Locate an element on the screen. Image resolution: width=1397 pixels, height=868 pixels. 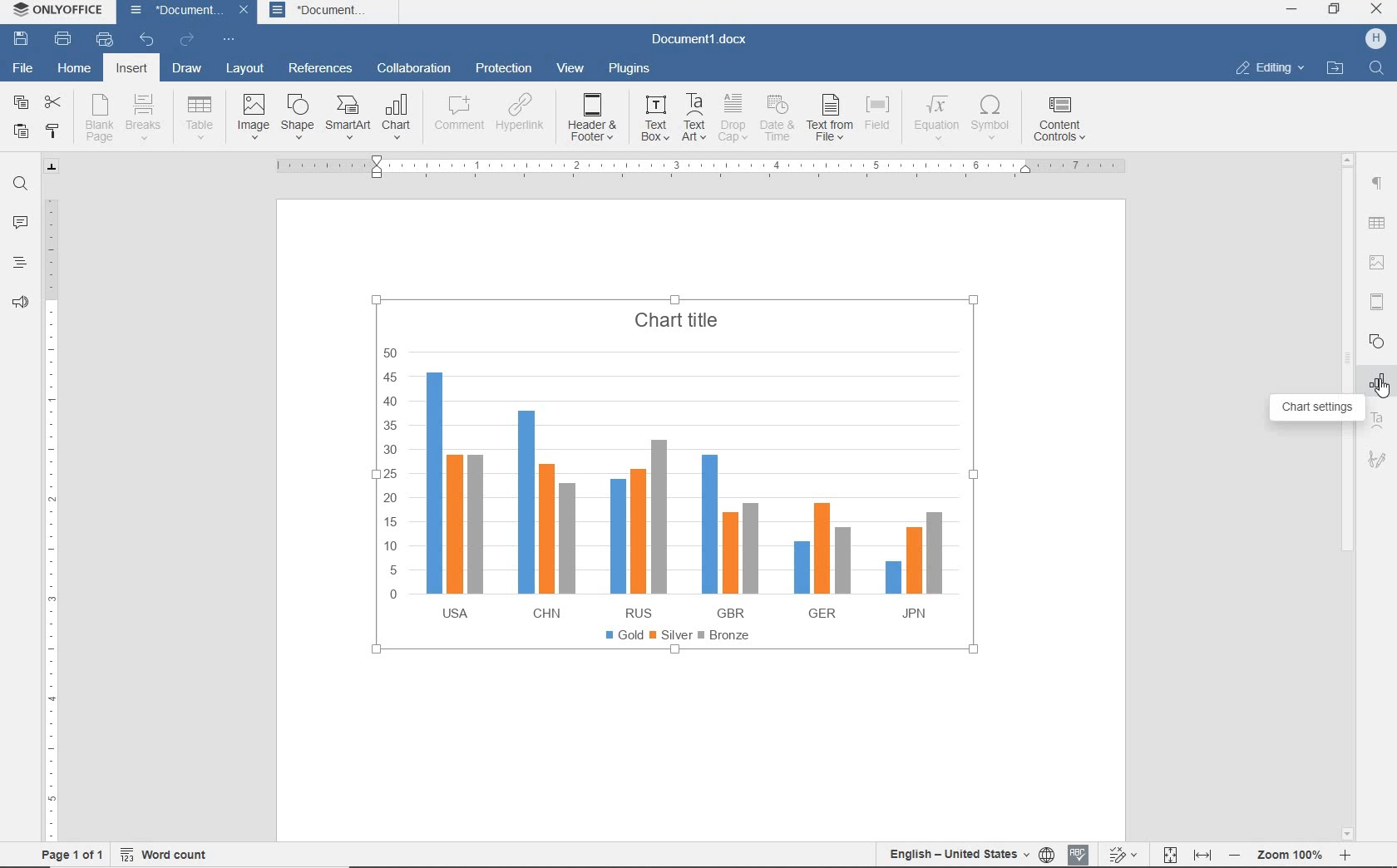
chart is located at coordinates (398, 117).